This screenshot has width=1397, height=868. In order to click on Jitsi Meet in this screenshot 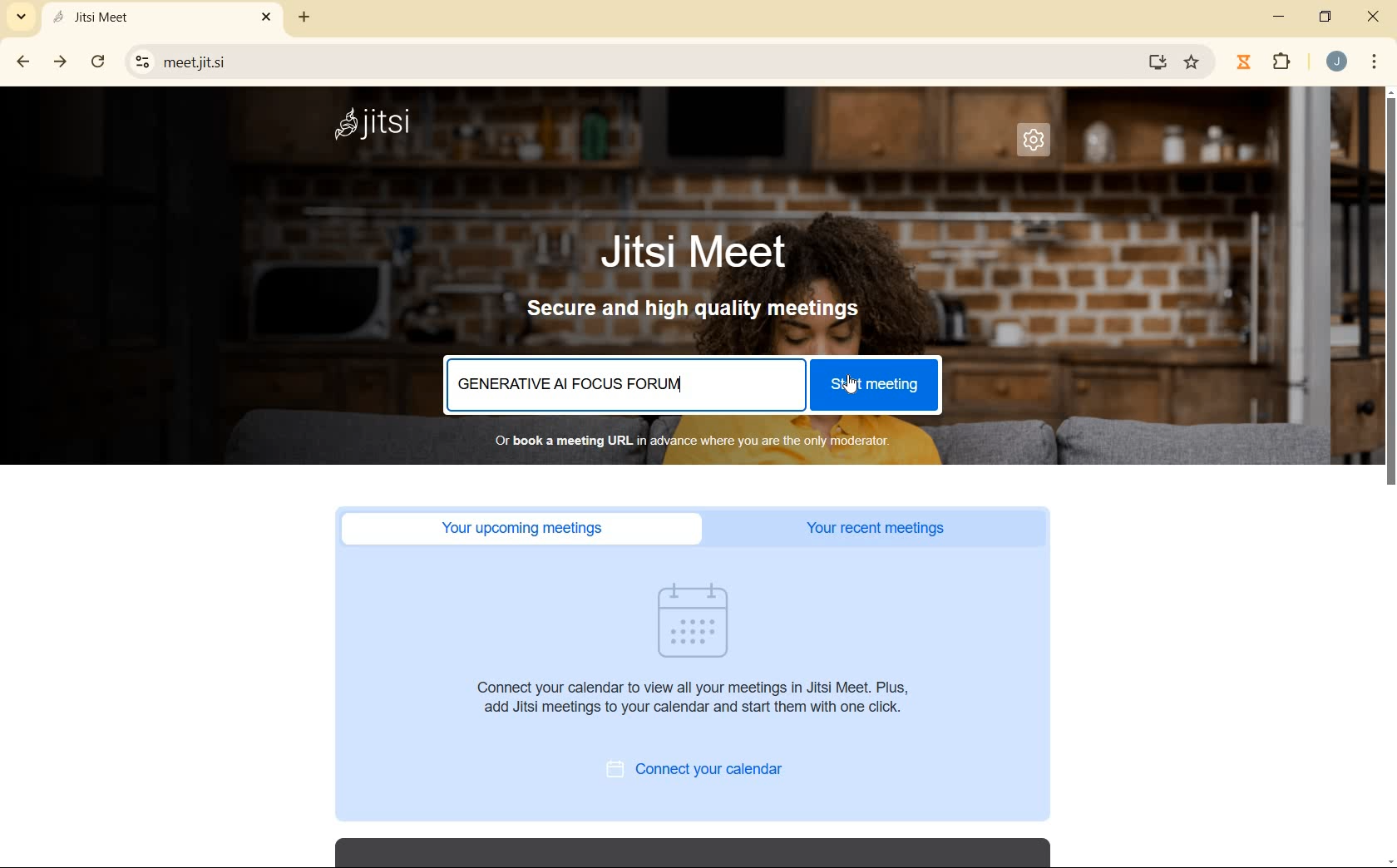, I will do `click(696, 253)`.